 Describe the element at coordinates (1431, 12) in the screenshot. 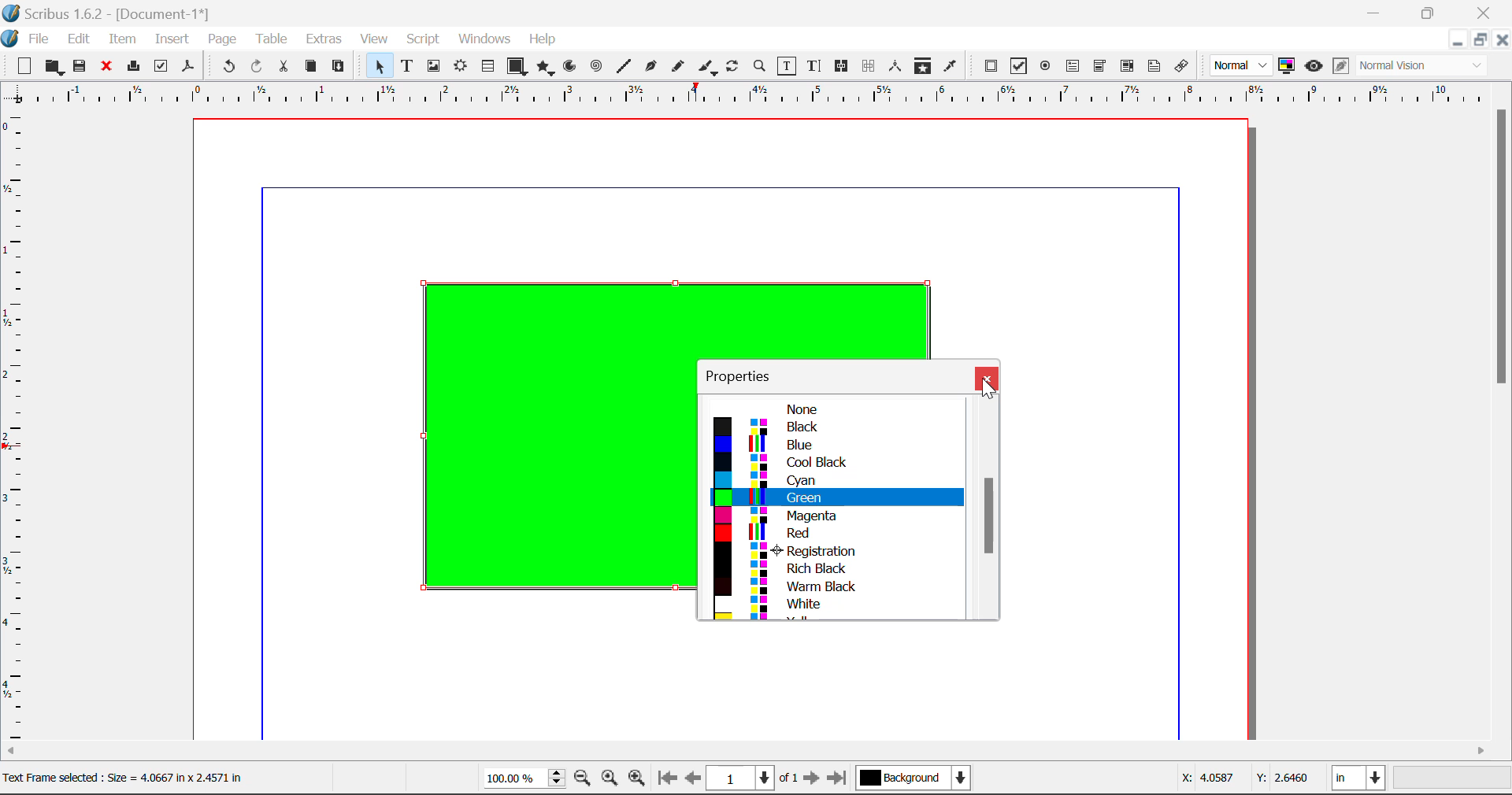

I see `Minimize` at that location.